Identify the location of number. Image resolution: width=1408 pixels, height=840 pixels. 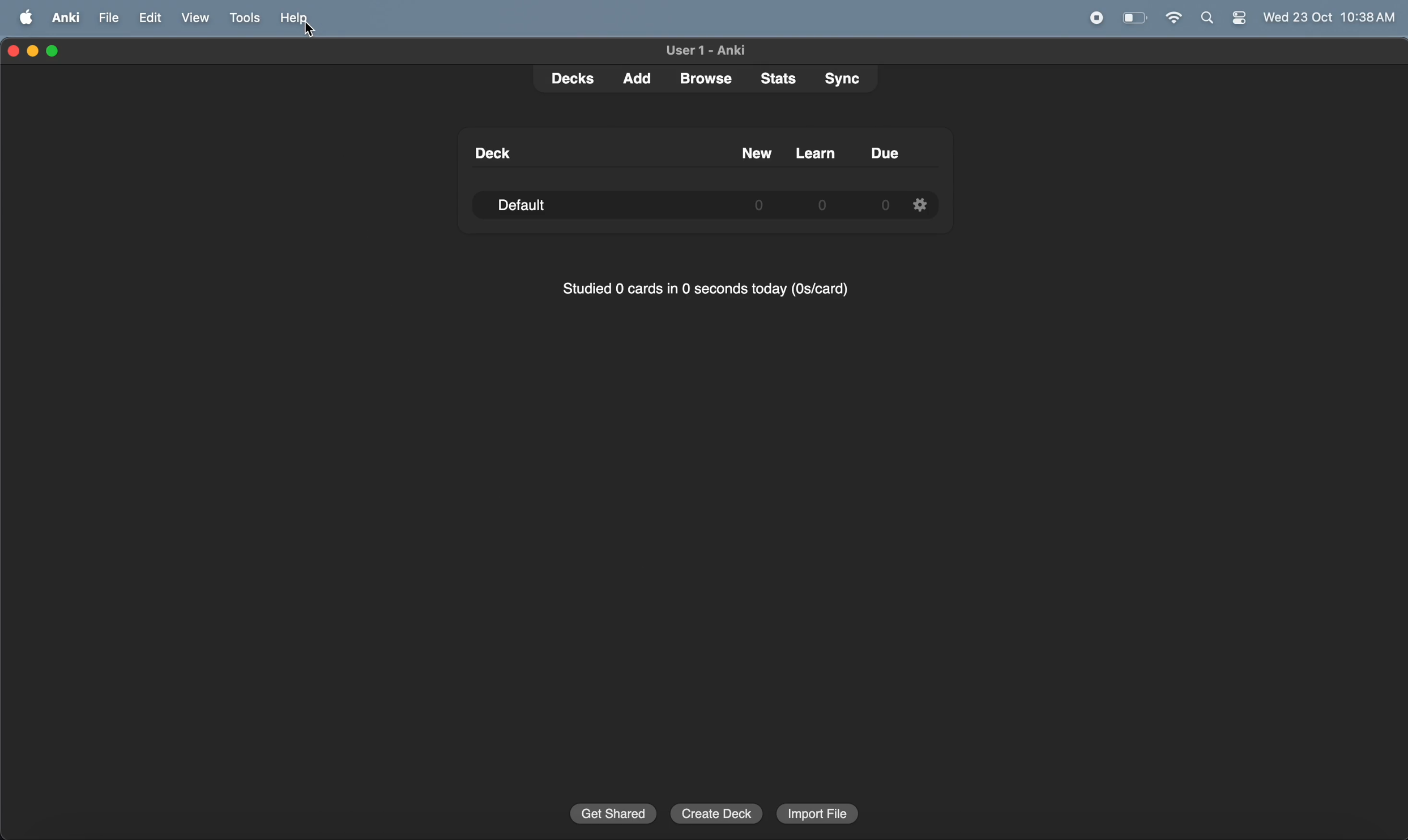
(883, 206).